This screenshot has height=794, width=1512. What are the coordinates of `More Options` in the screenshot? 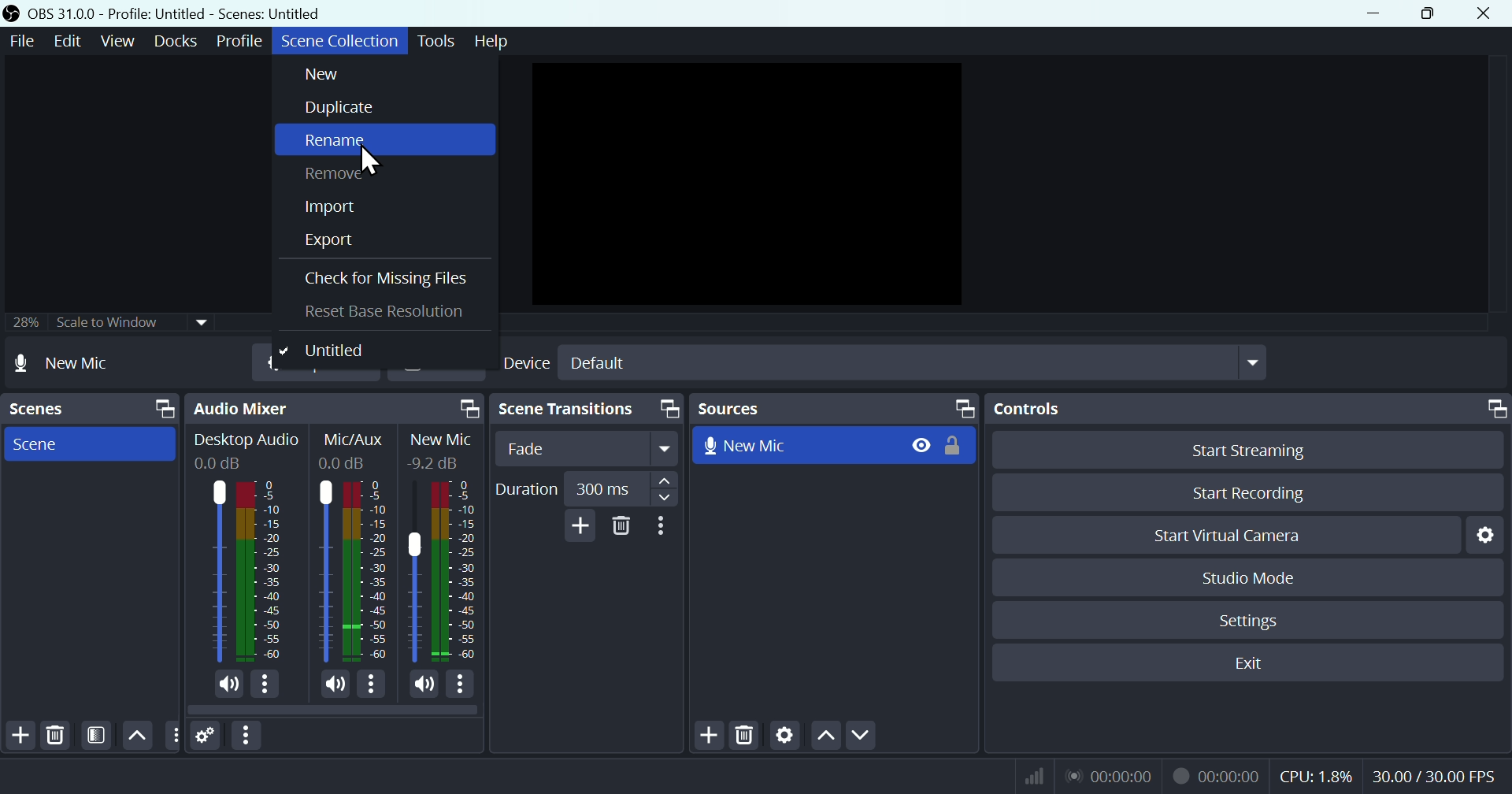 It's located at (464, 685).